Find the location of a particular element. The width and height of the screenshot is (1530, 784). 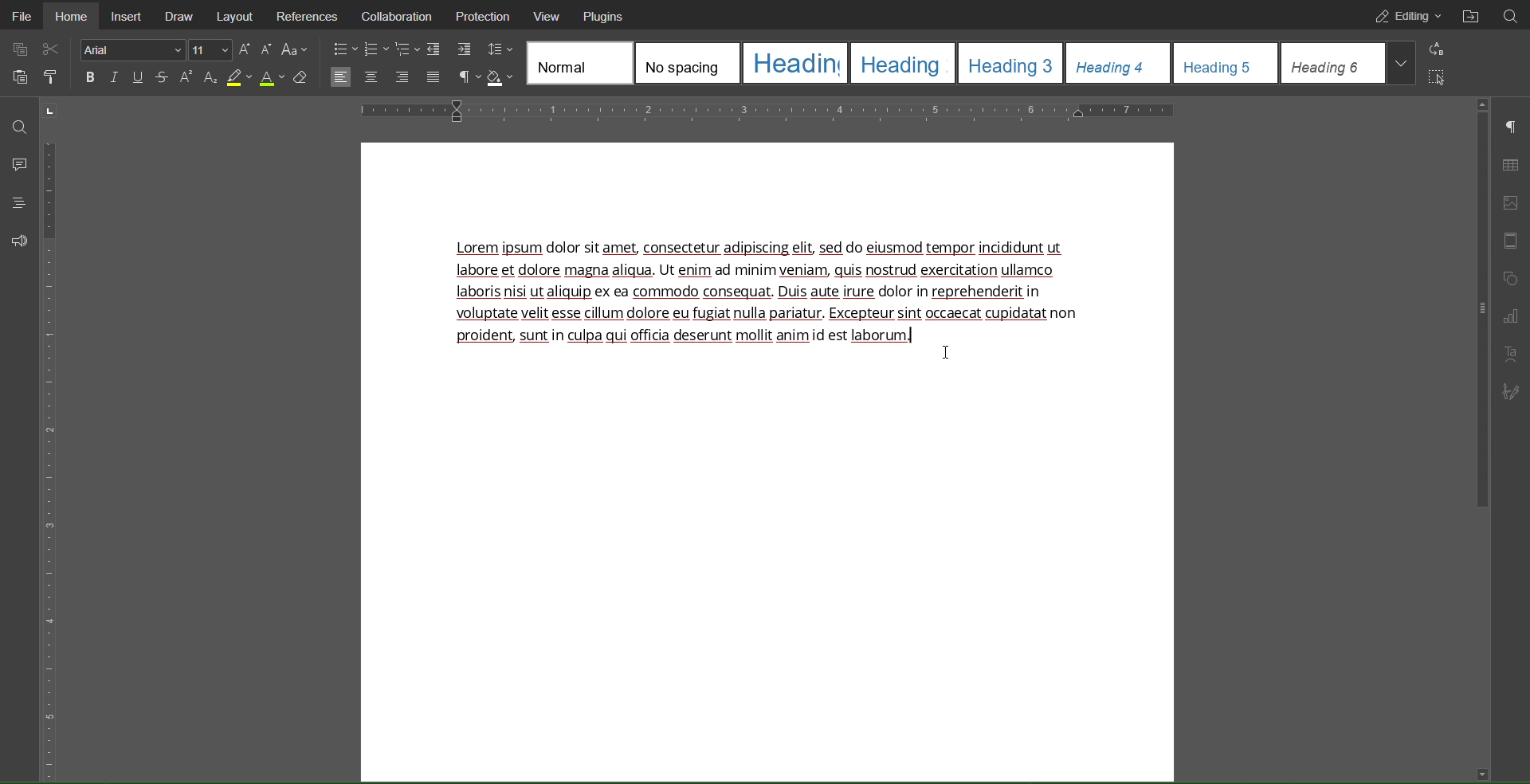

No Spacing is located at coordinates (685, 63).